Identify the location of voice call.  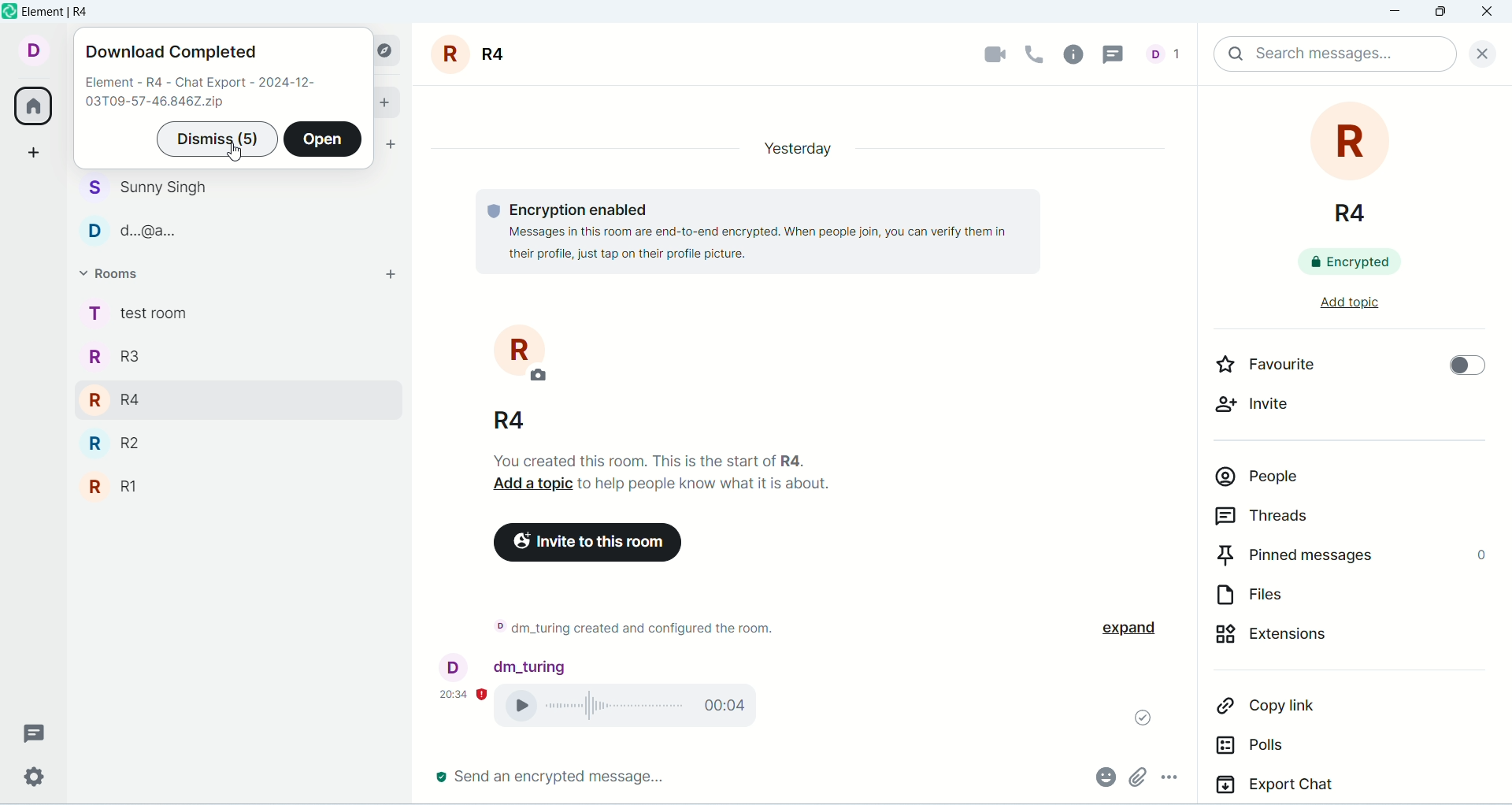
(636, 708).